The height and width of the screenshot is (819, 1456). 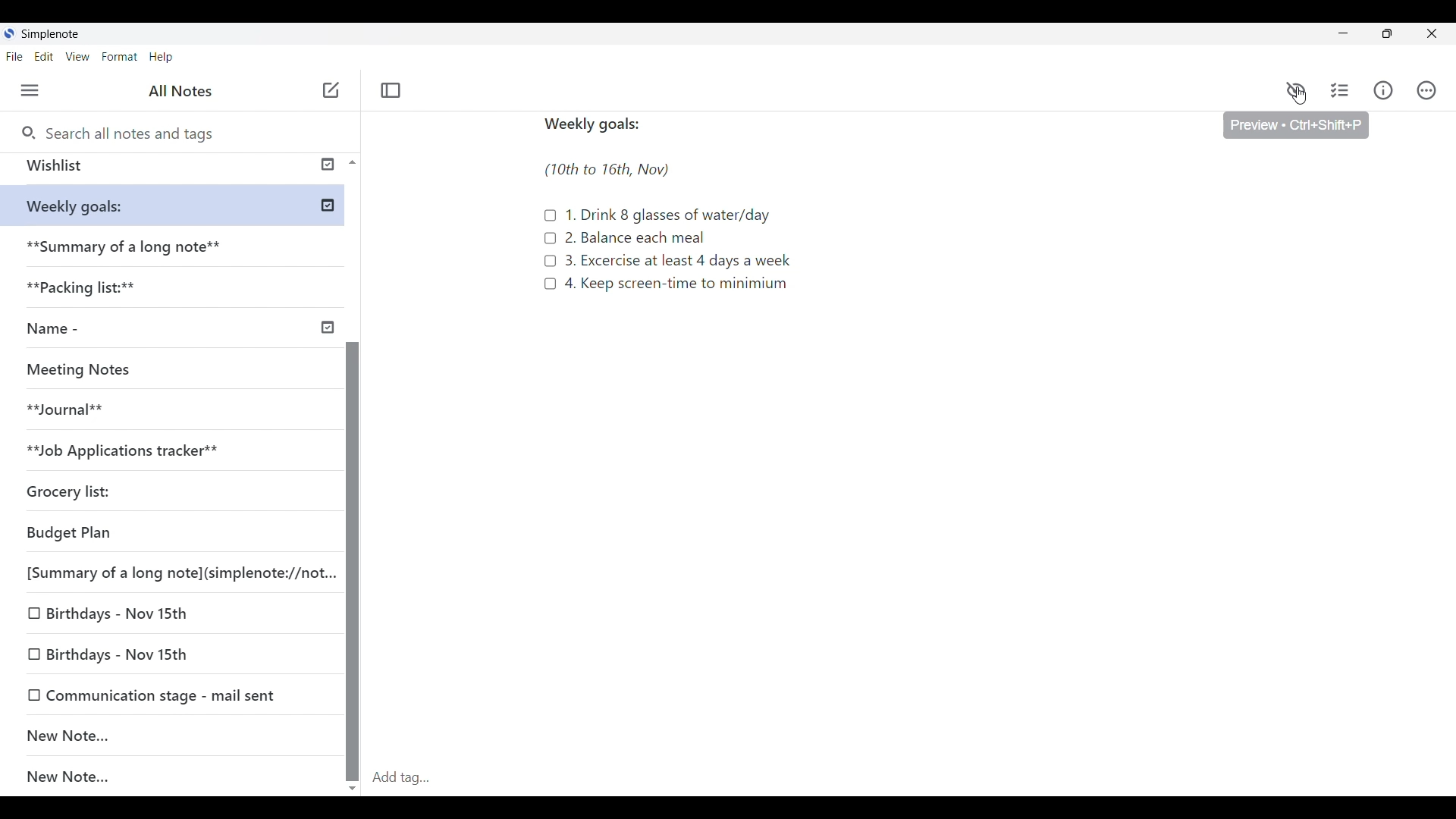 What do you see at coordinates (137, 450) in the screenshot?
I see `**Job Applications tracker**` at bounding box center [137, 450].